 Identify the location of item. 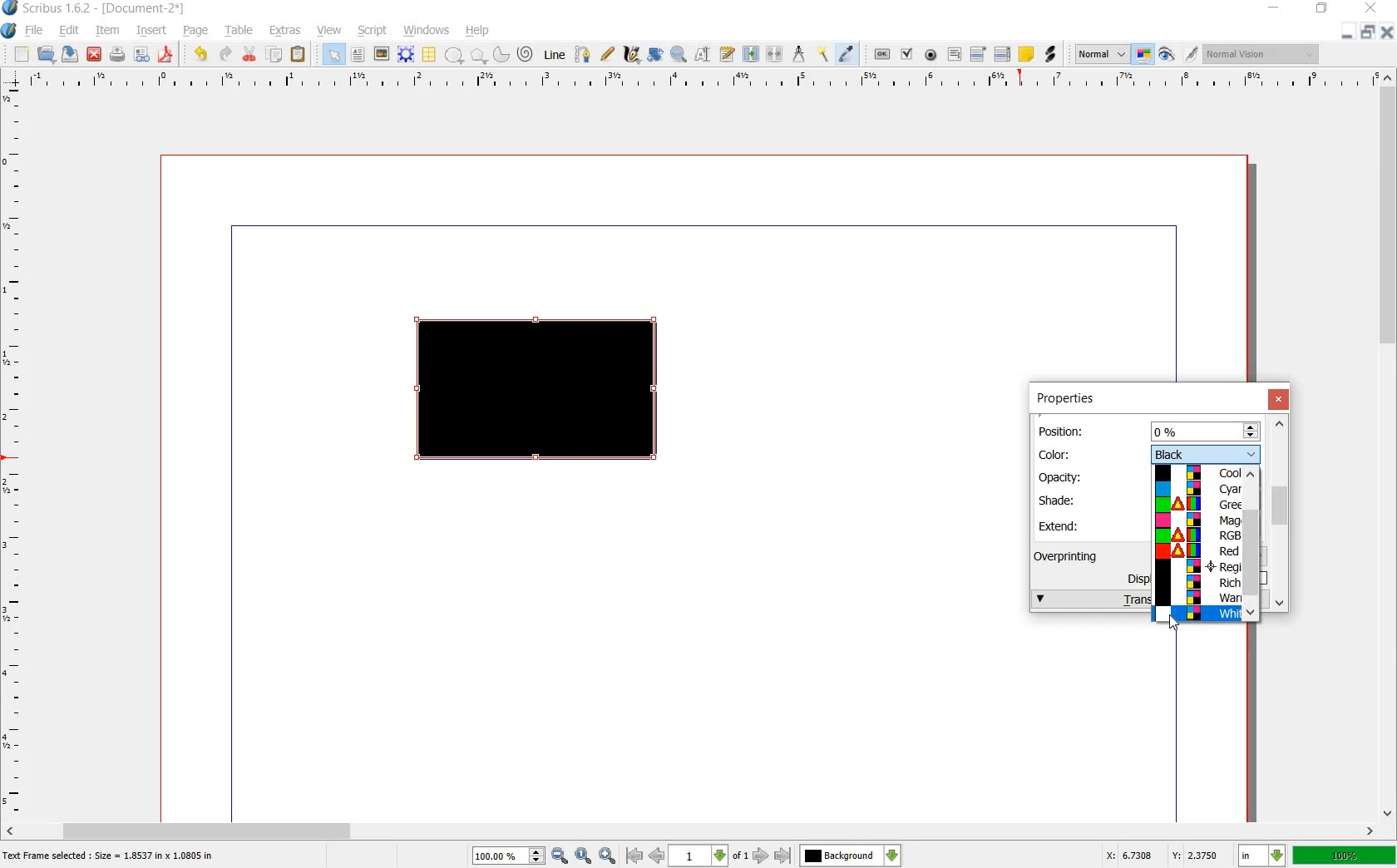
(106, 32).